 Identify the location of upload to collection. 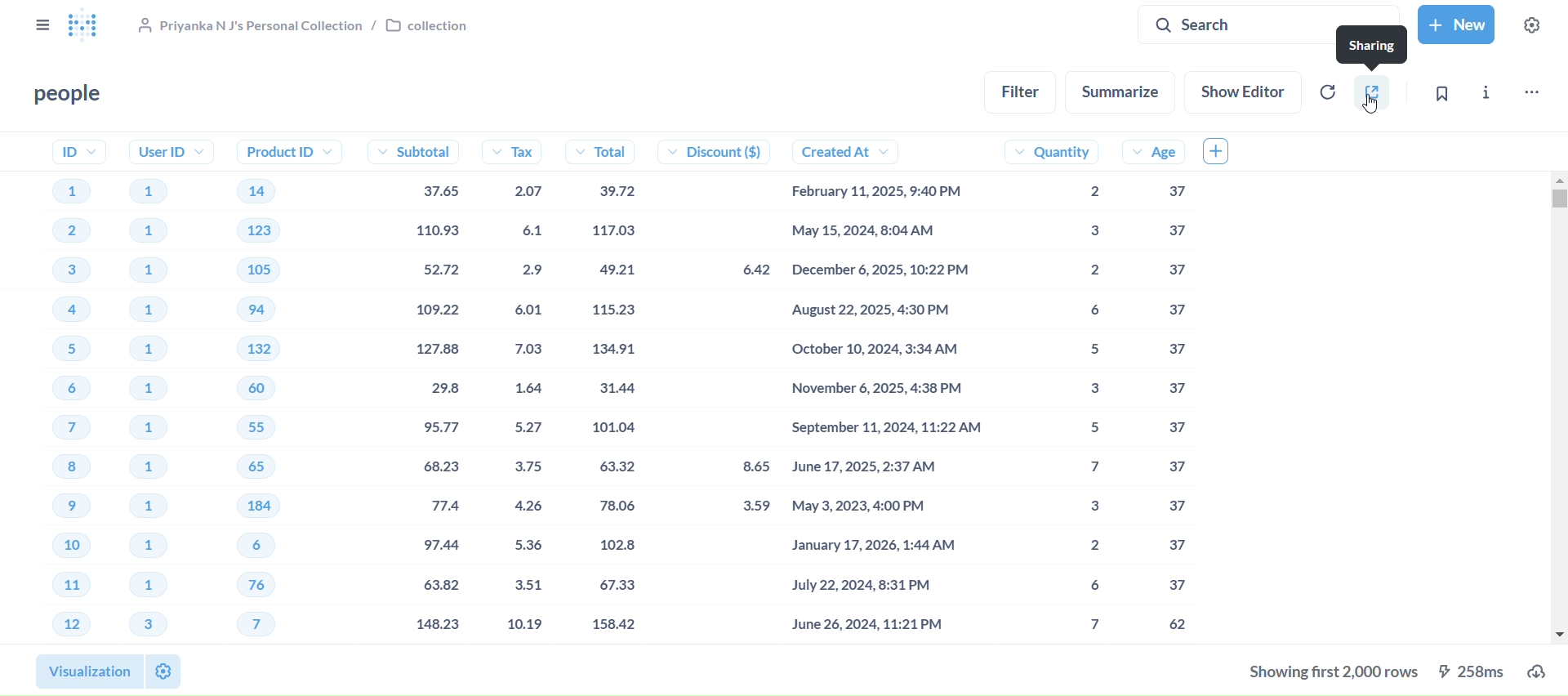
(1542, 671).